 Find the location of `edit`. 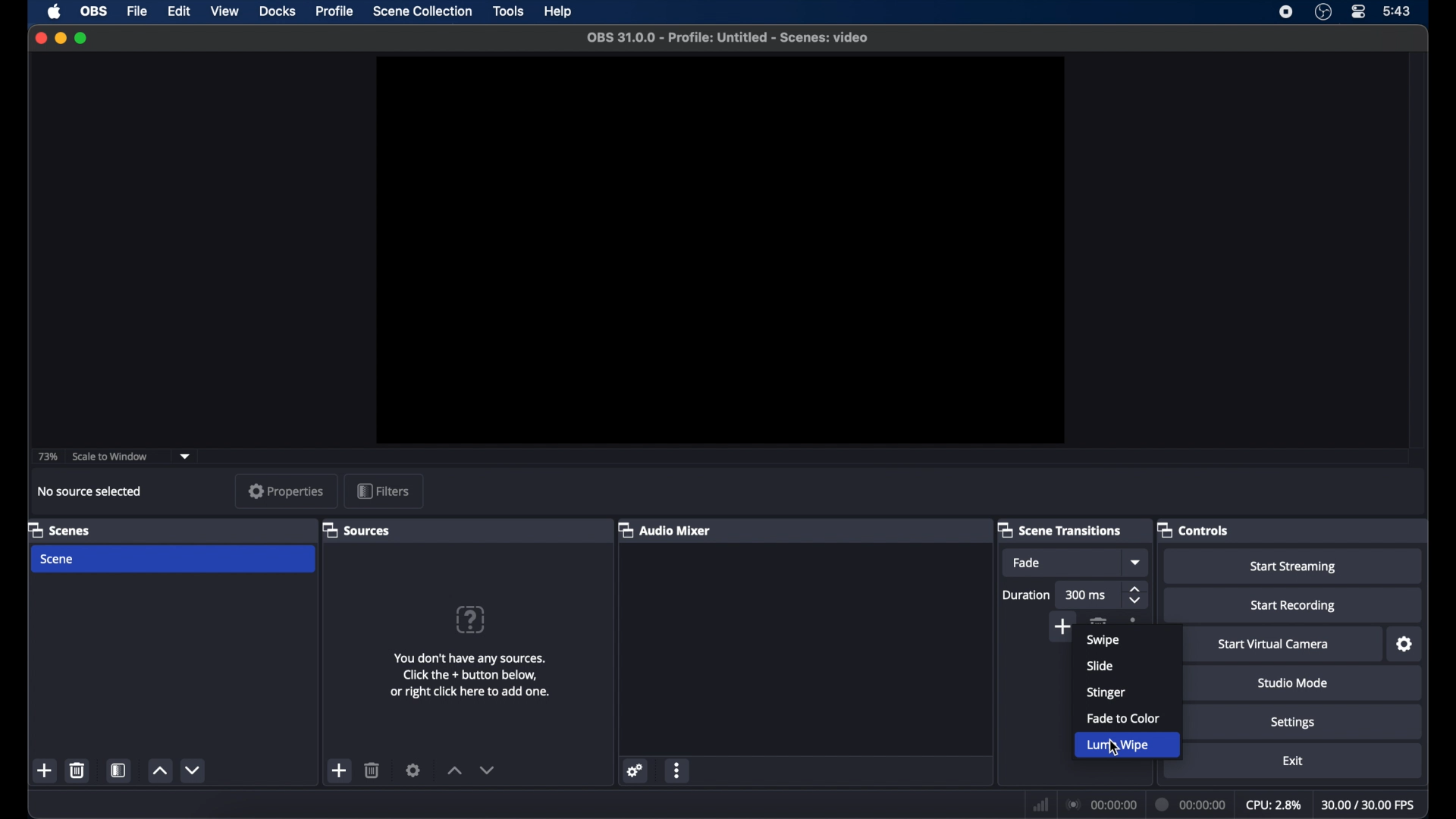

edit is located at coordinates (179, 12).